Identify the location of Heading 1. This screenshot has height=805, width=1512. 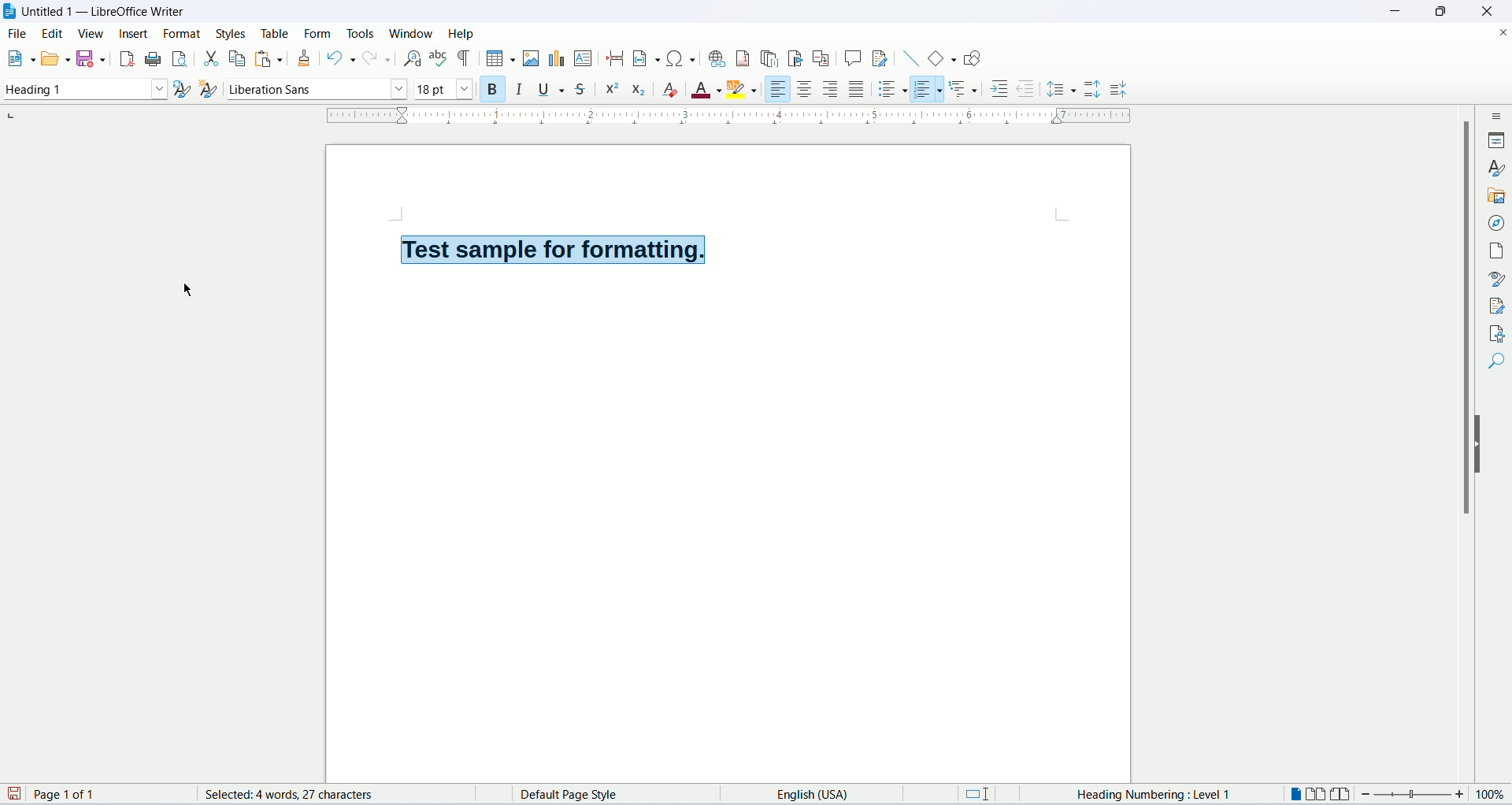
(84, 91).